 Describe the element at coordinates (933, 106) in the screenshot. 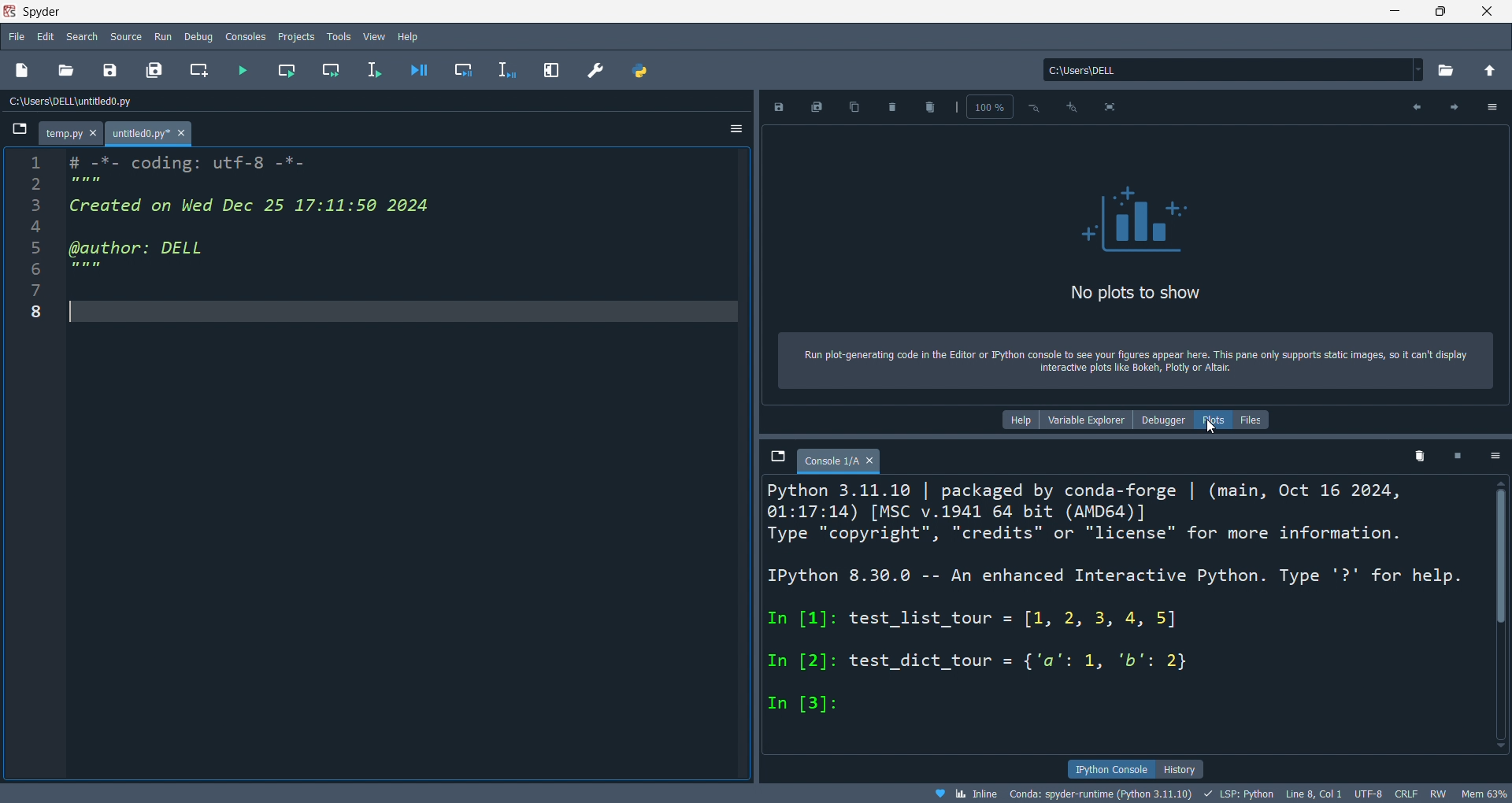

I see `delete all` at that location.